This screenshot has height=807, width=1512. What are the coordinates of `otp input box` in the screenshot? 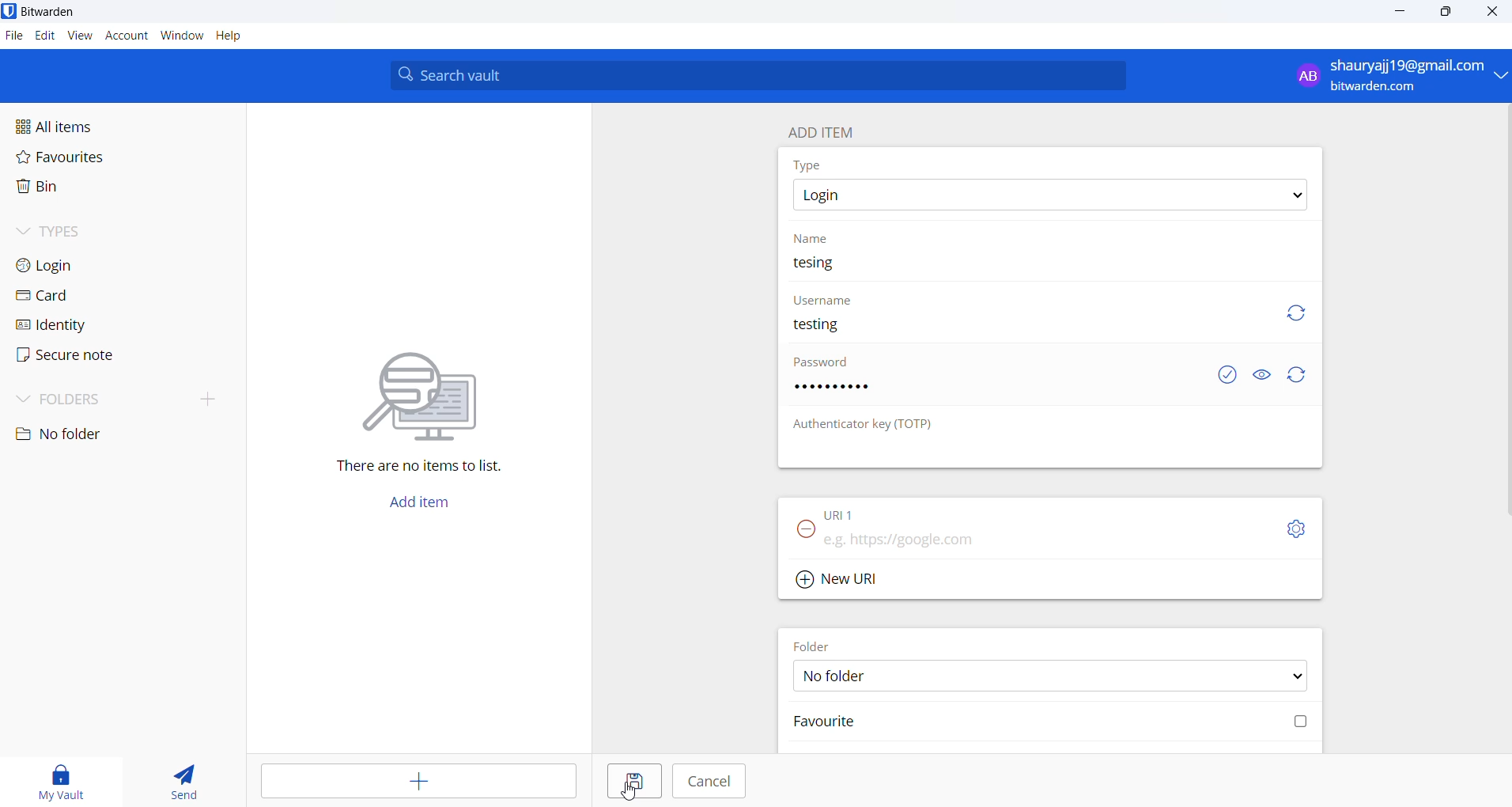 It's located at (1045, 453).